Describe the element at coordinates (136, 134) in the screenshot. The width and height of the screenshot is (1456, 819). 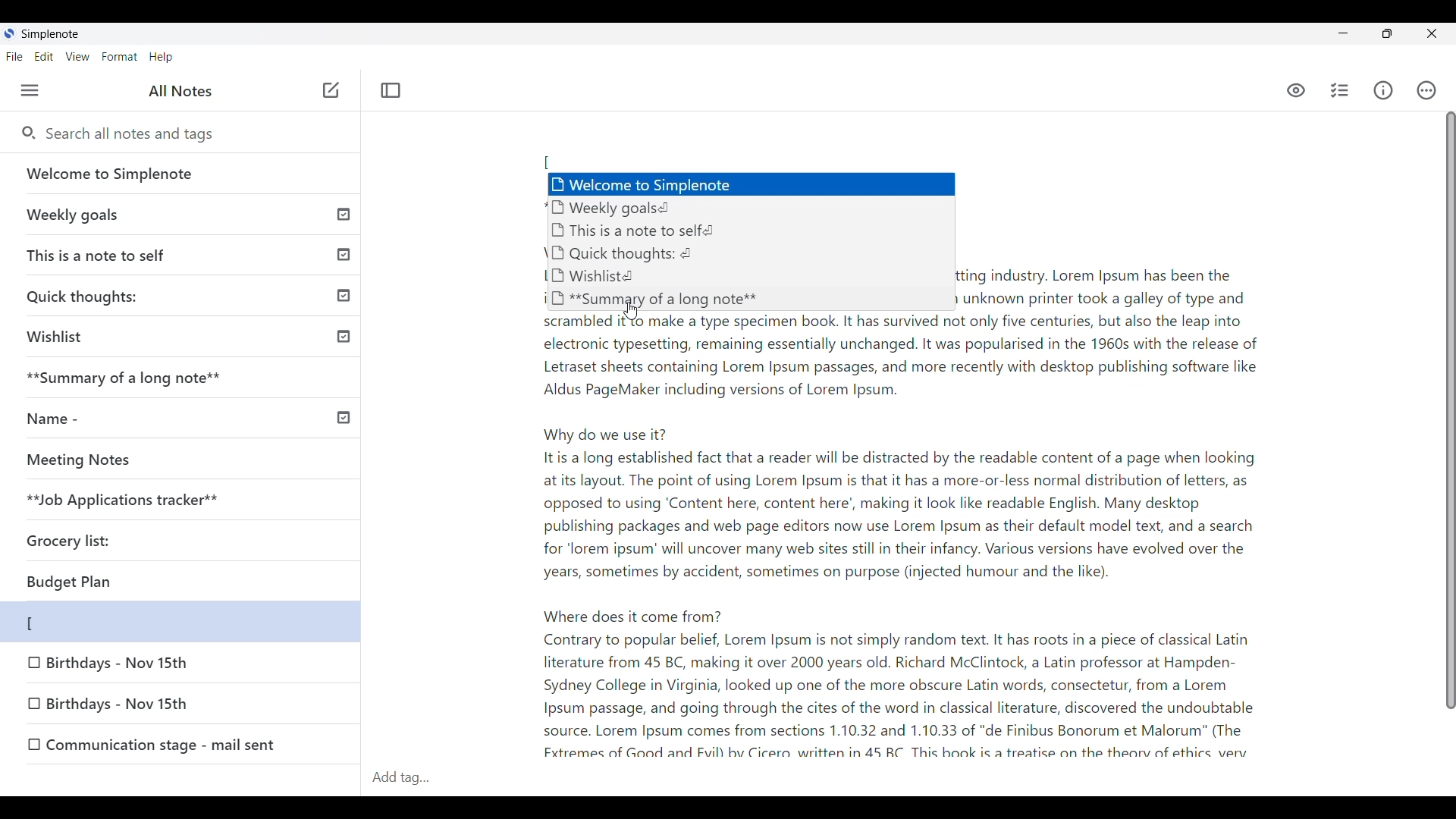
I see `Search all notes and tags` at that location.